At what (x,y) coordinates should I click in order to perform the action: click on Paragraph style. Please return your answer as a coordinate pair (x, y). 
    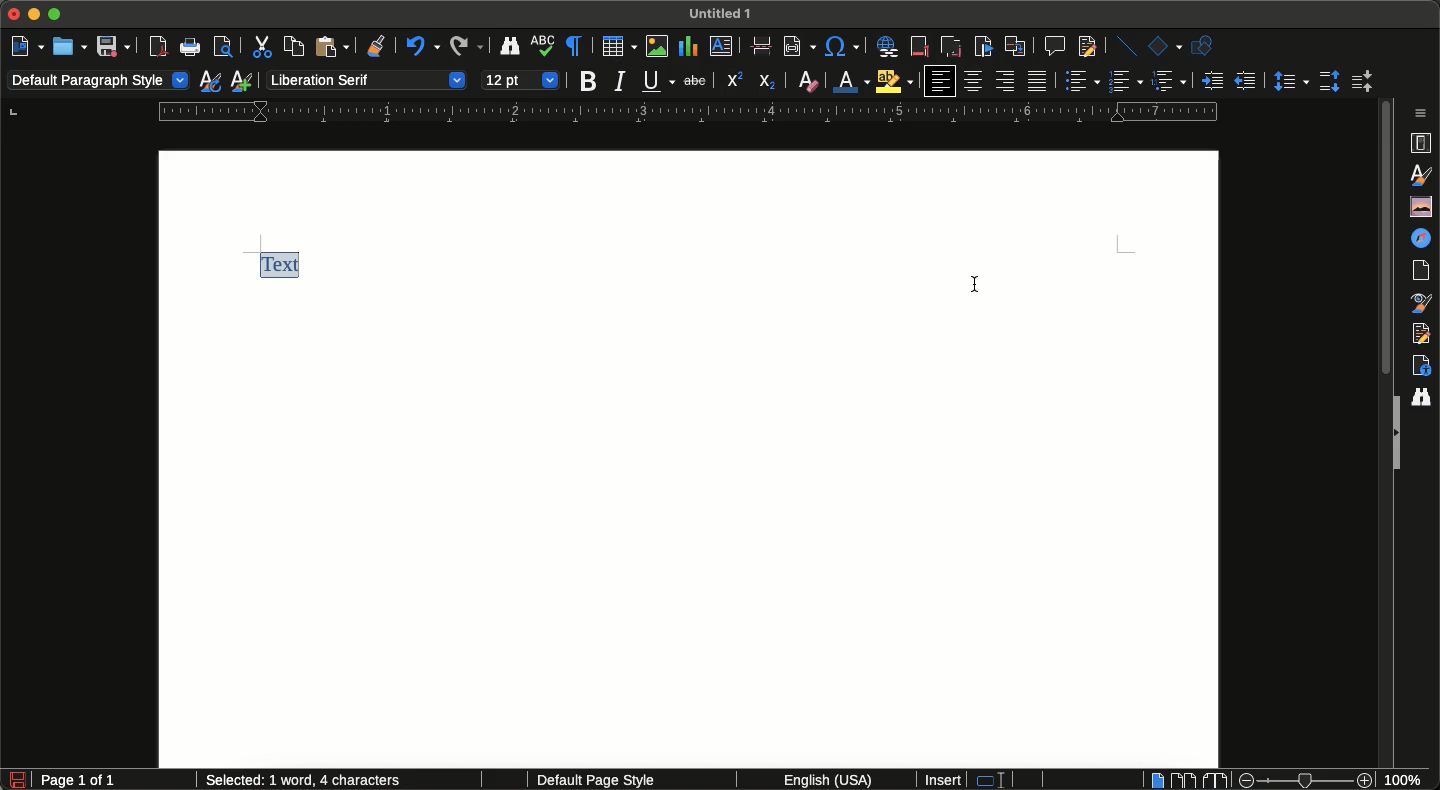
    Looking at the image, I should click on (99, 82).